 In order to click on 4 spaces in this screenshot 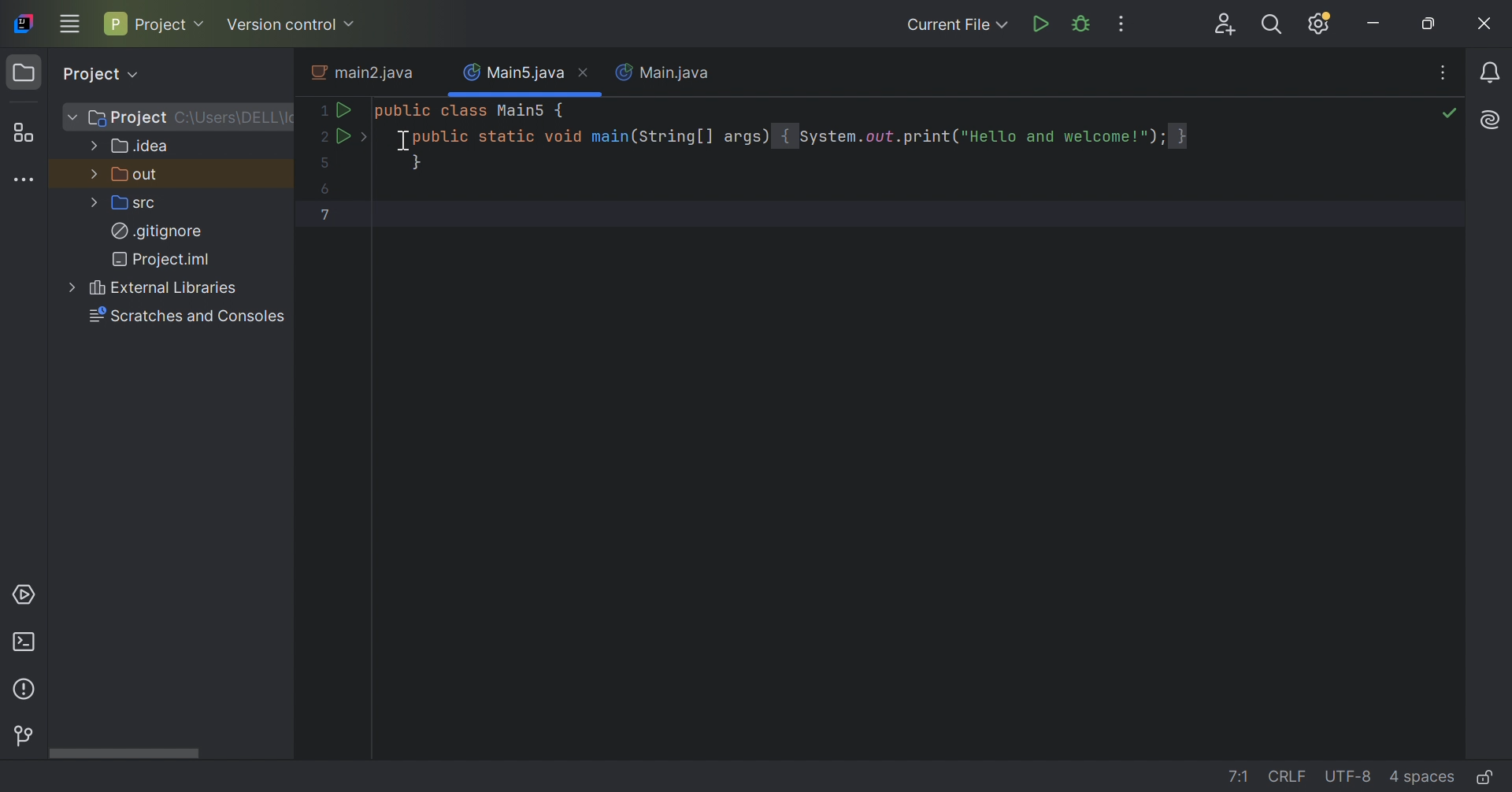, I will do `click(1423, 779)`.